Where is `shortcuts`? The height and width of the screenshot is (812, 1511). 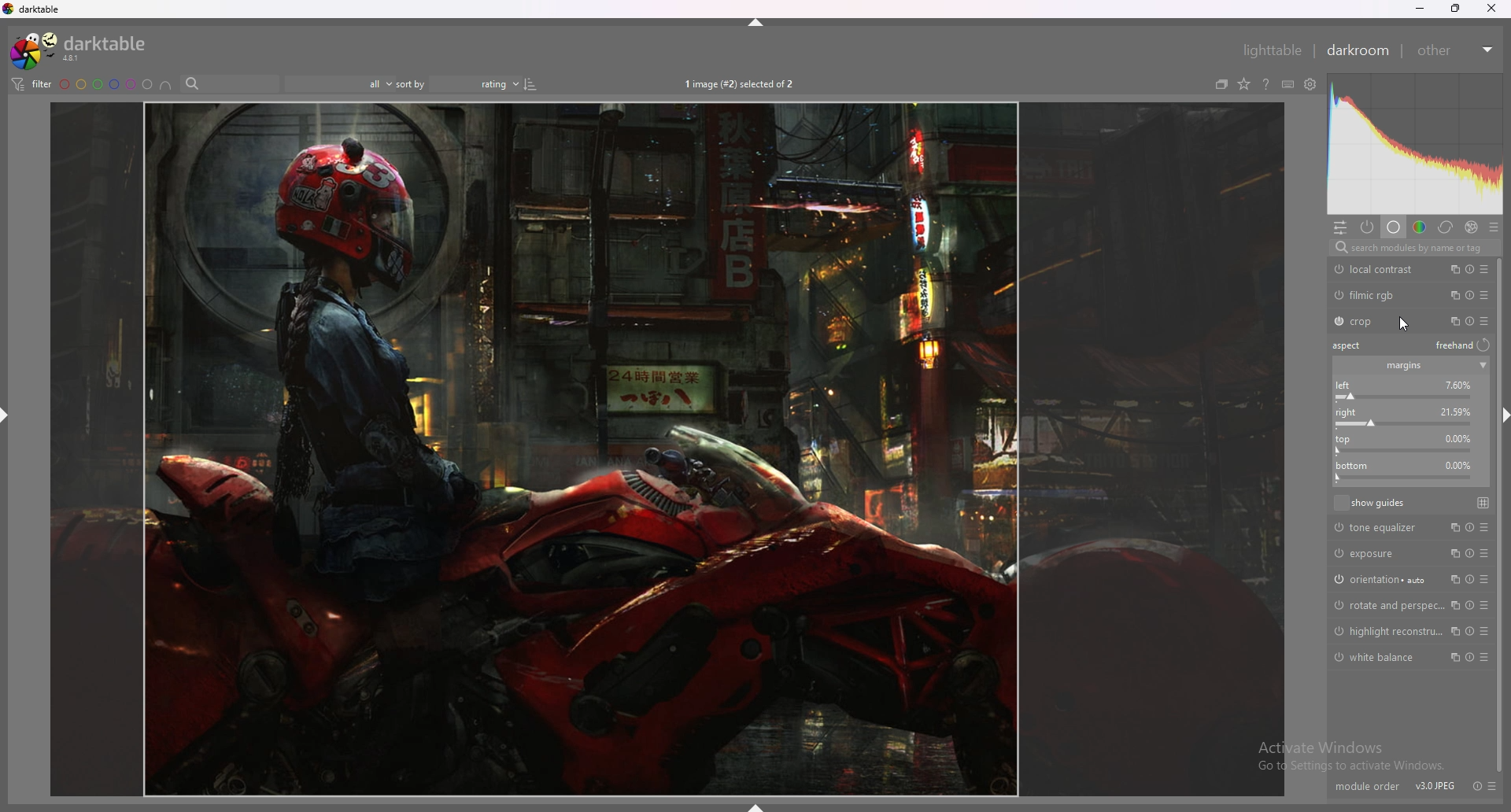
shortcuts is located at coordinates (1288, 84).